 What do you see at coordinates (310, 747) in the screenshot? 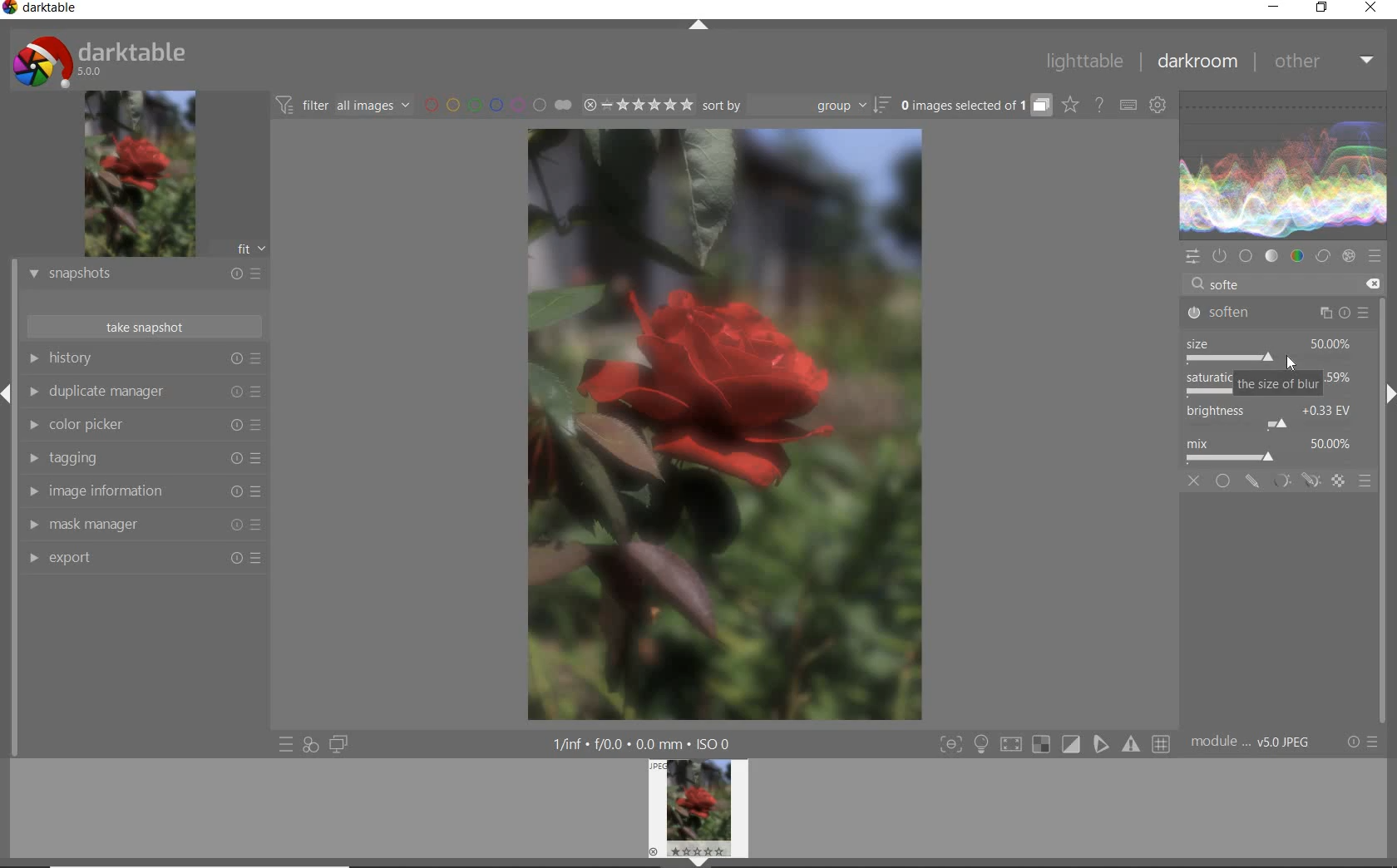
I see `quick access for applying any of your styles` at bounding box center [310, 747].